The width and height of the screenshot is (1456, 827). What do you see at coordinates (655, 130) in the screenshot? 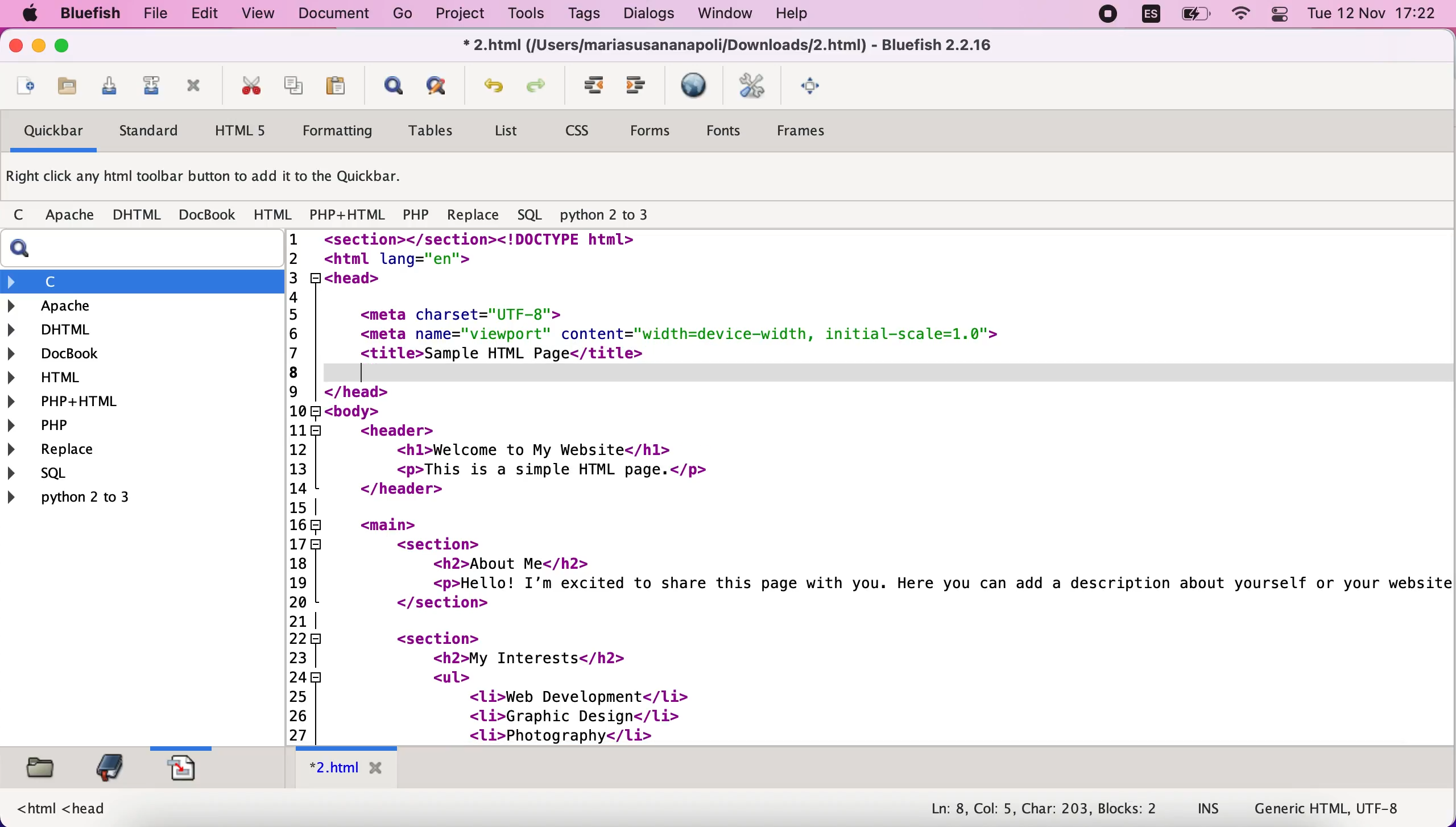
I see `forms` at bounding box center [655, 130].